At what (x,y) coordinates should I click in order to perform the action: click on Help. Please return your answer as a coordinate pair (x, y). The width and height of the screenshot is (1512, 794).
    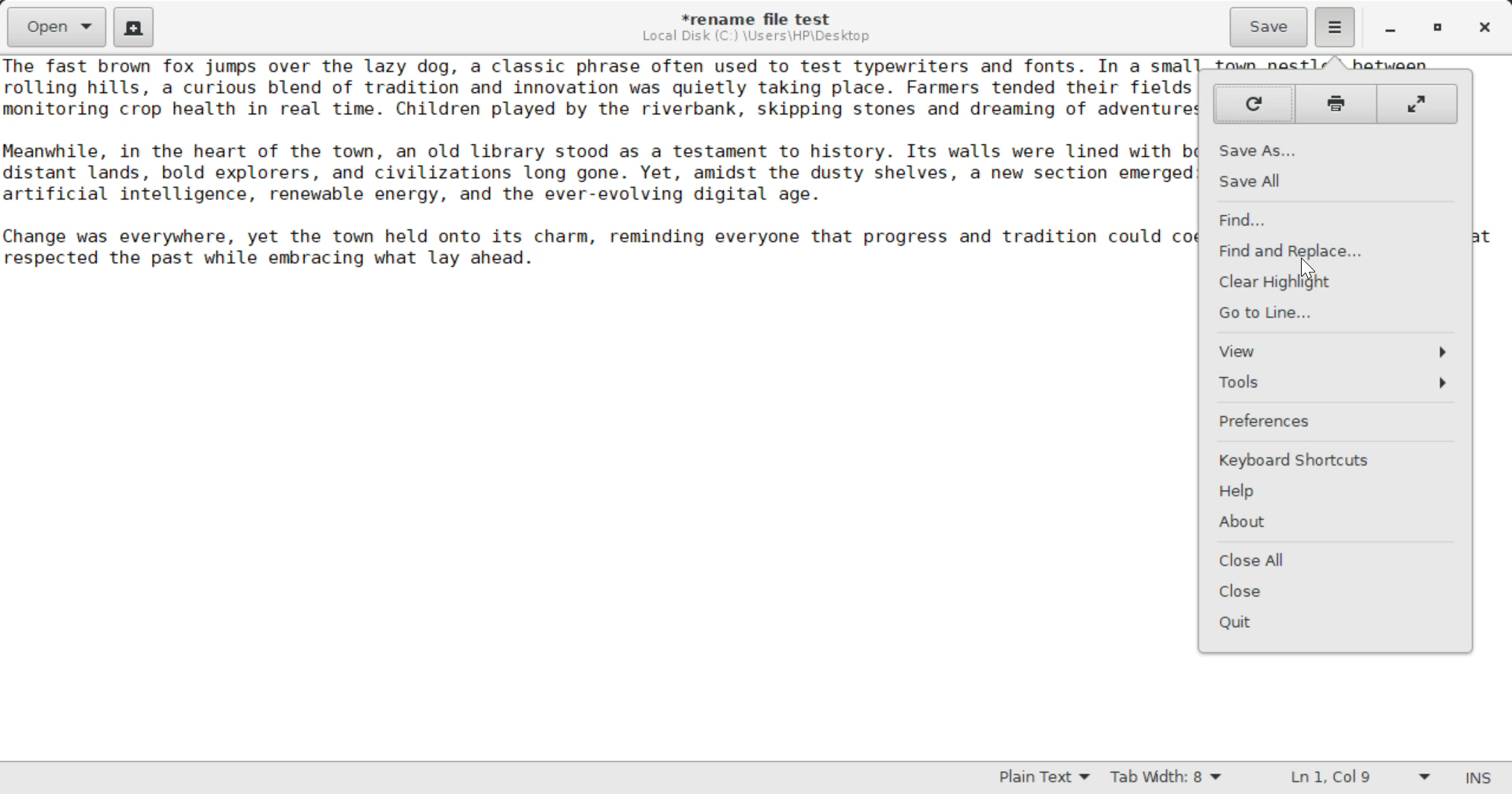
    Looking at the image, I should click on (1342, 495).